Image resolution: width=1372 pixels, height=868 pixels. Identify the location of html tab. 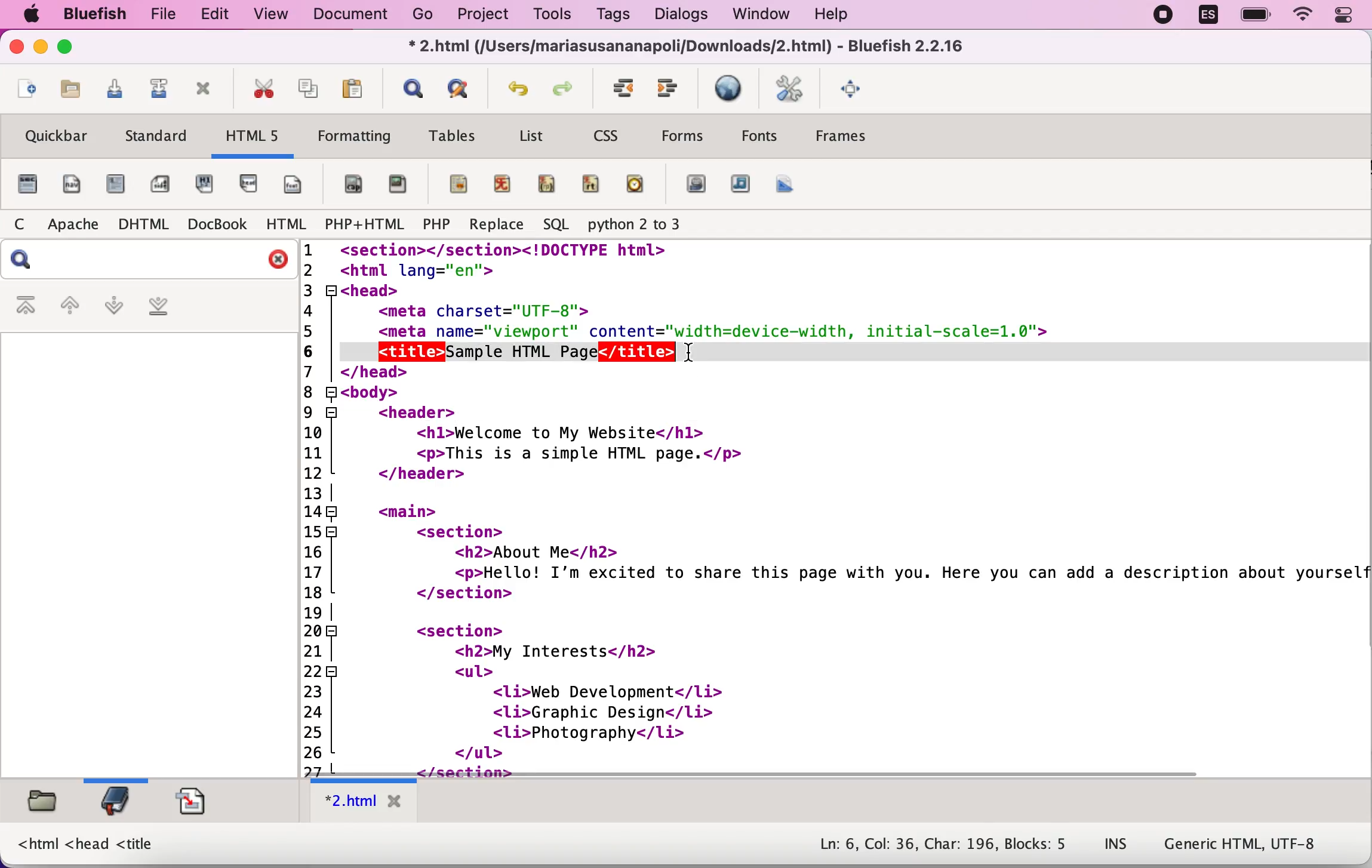
(363, 802).